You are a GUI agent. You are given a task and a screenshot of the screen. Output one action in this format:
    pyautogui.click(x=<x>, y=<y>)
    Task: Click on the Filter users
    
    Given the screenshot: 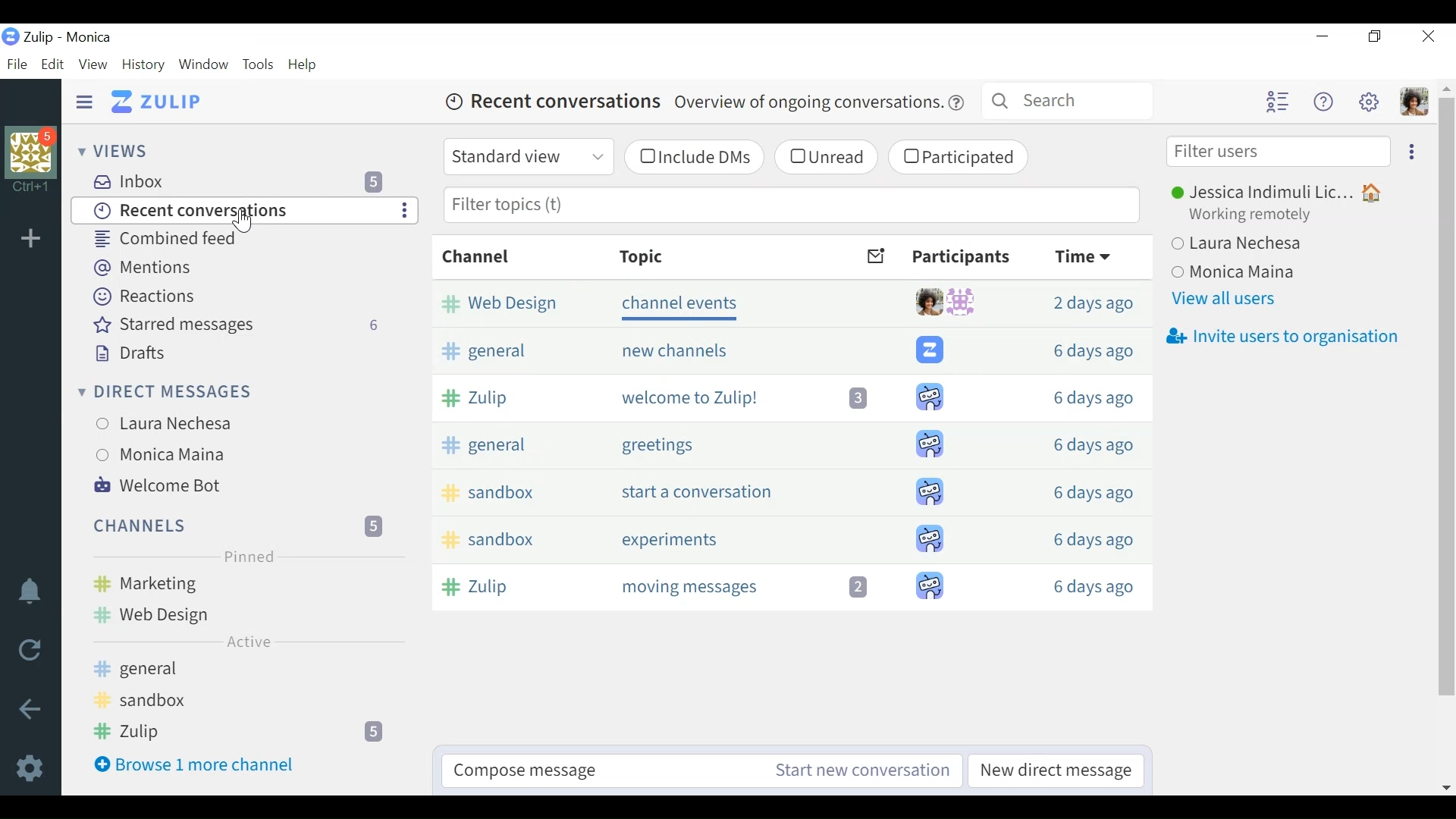 What is the action you would take?
    pyautogui.click(x=1279, y=151)
    